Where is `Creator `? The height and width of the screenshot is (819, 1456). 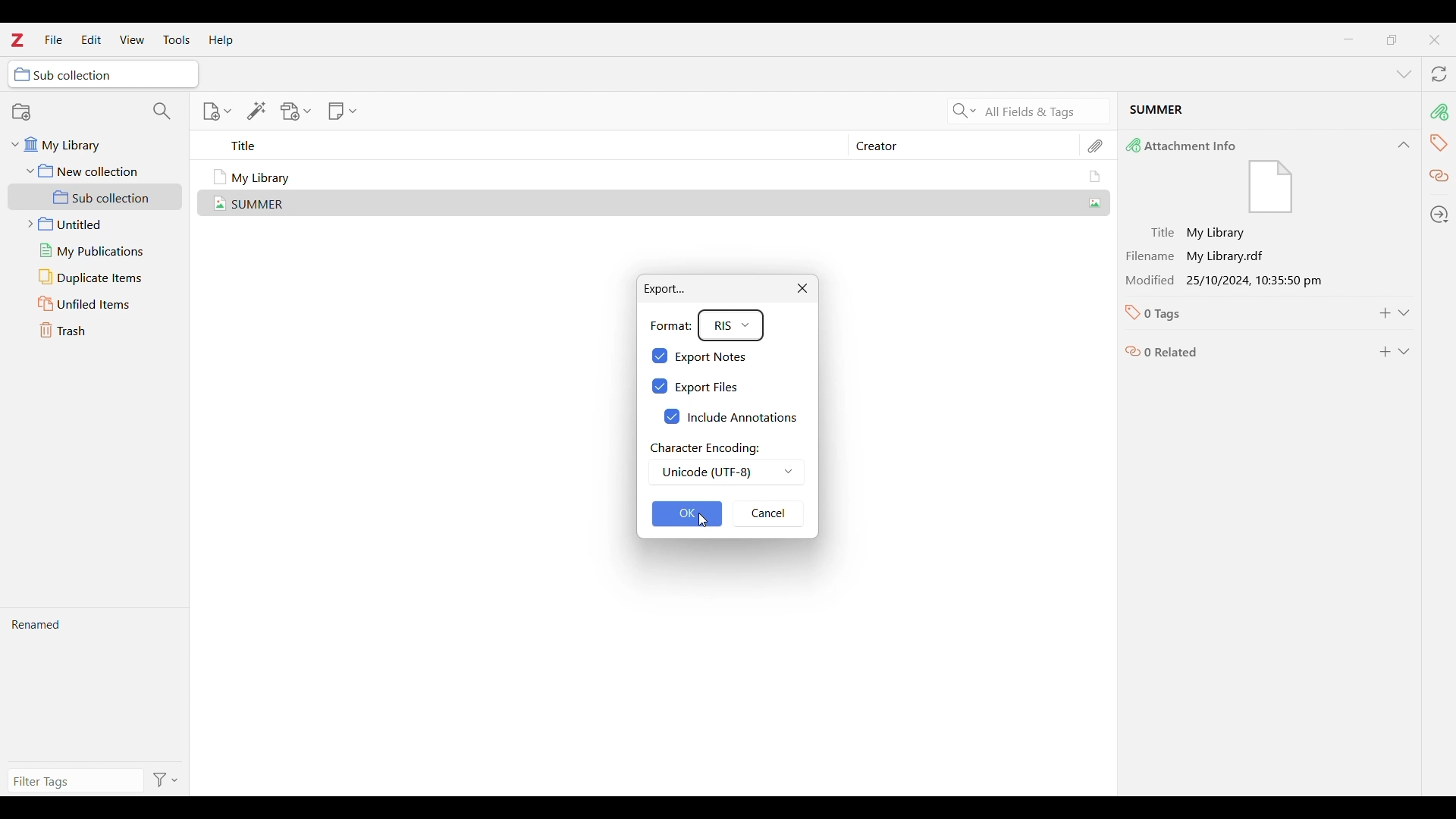
Creator  is located at coordinates (956, 146).